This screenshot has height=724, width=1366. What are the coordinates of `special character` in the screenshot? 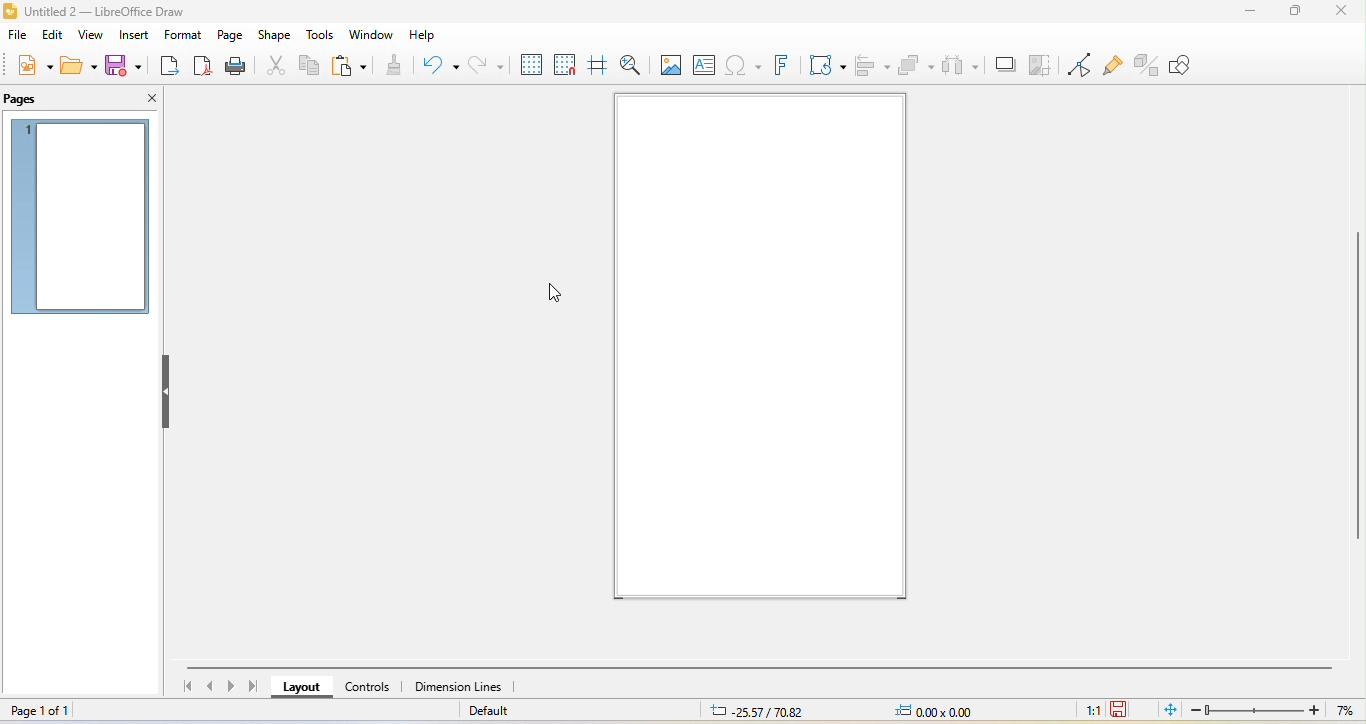 It's located at (742, 66).